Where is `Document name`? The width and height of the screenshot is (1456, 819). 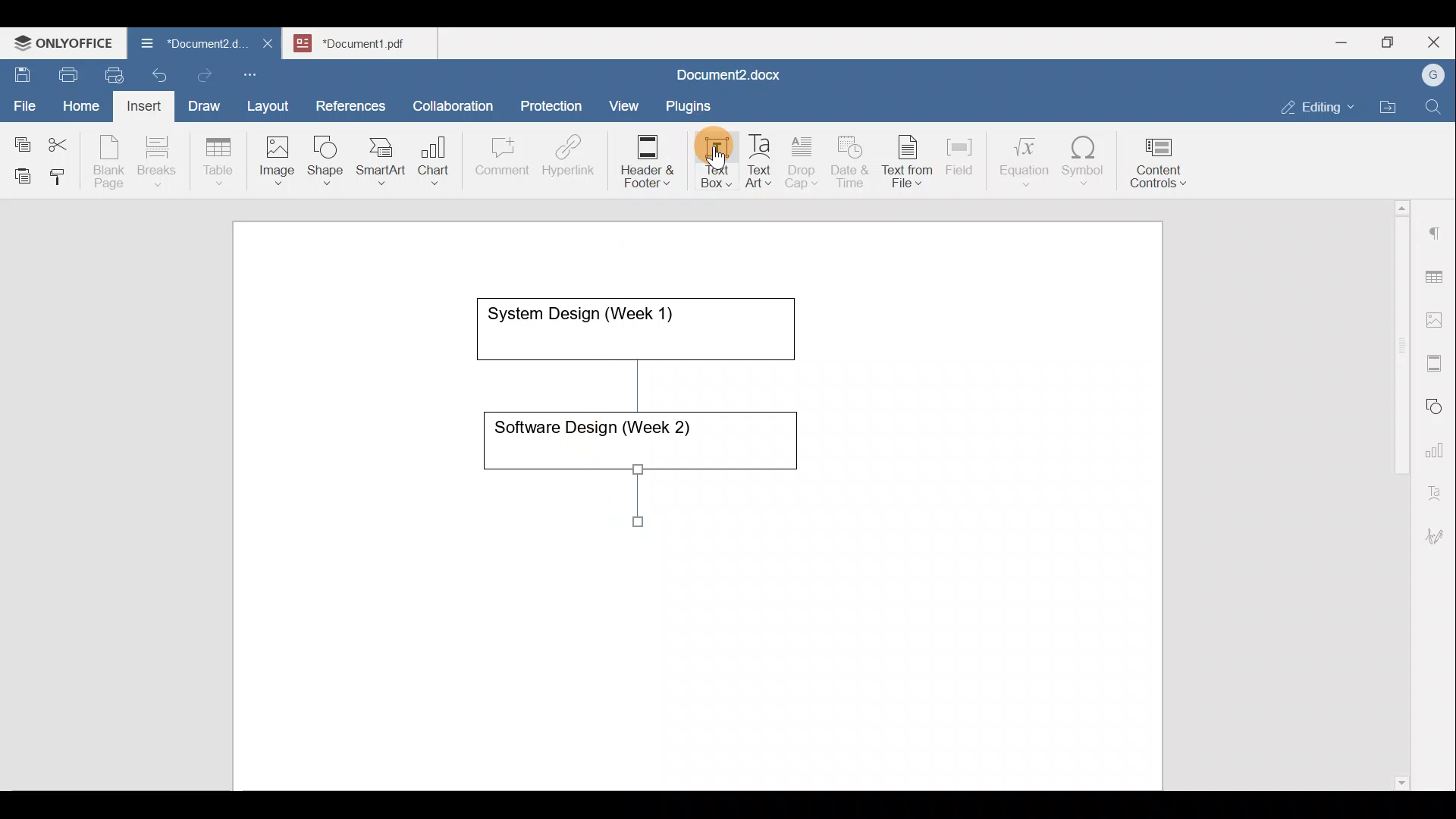 Document name is located at coordinates (725, 77).